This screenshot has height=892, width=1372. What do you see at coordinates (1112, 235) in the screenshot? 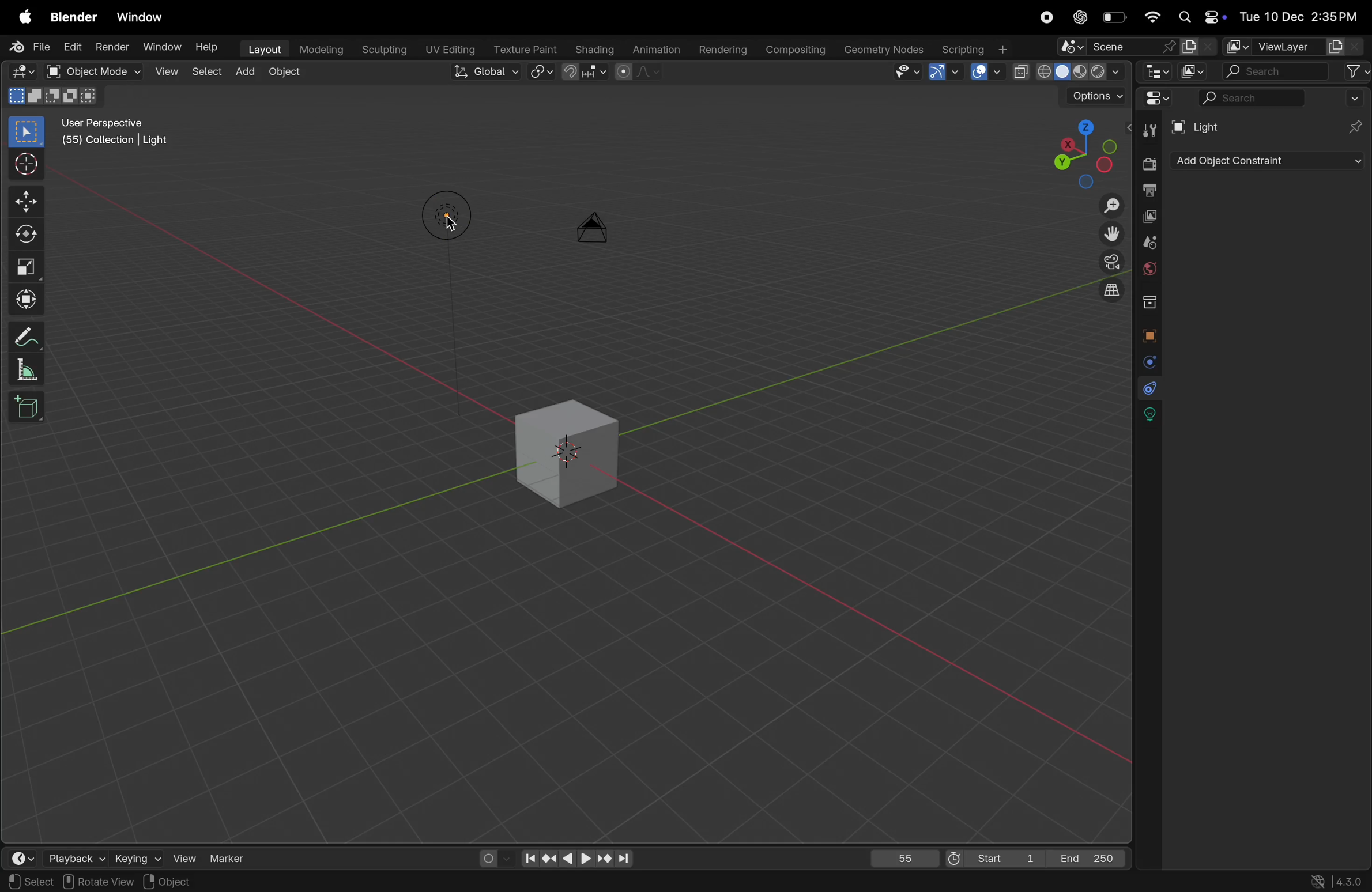
I see `move the view` at bounding box center [1112, 235].